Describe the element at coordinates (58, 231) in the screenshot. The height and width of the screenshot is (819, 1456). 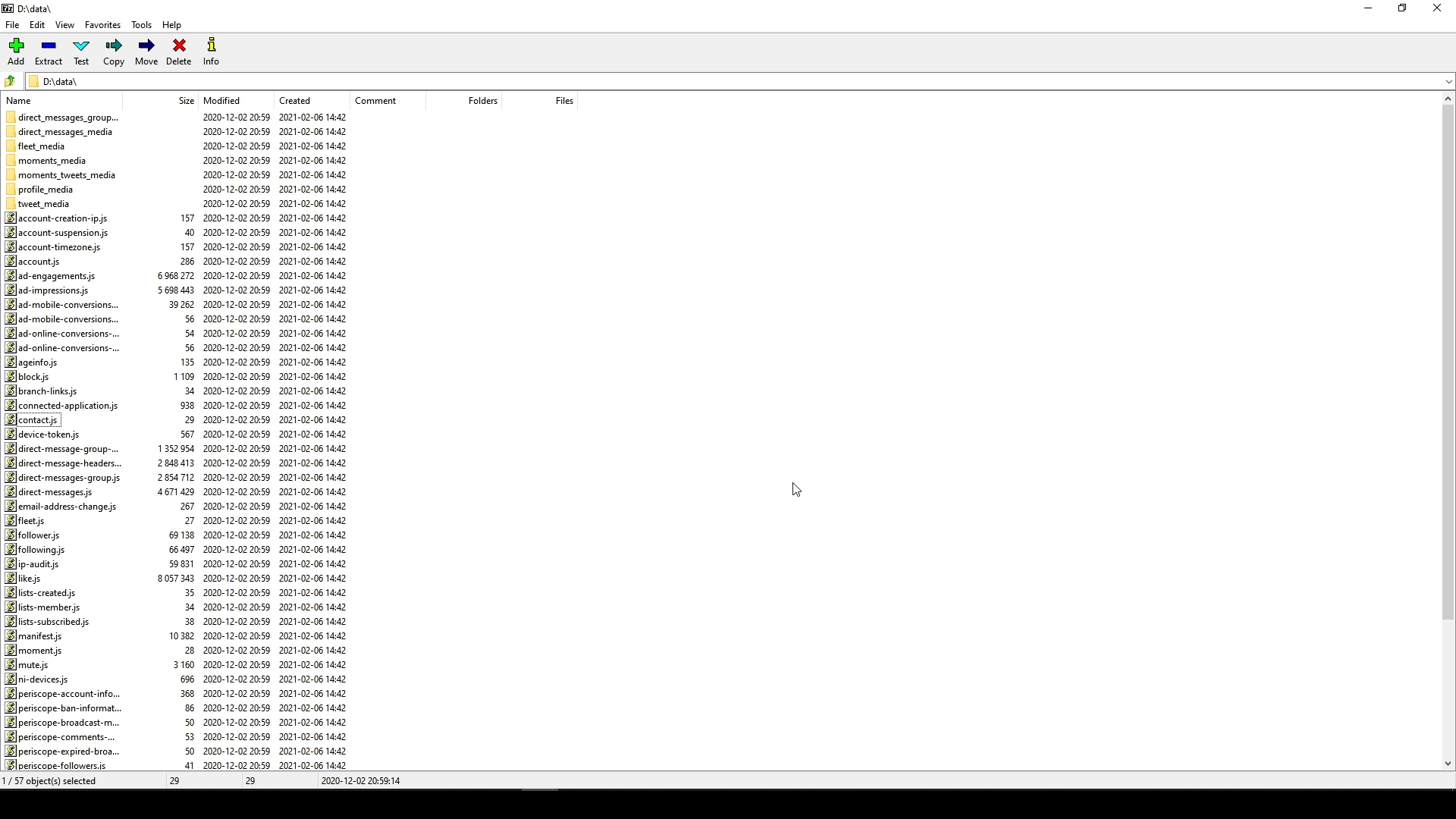
I see `account-suspension.js` at that location.